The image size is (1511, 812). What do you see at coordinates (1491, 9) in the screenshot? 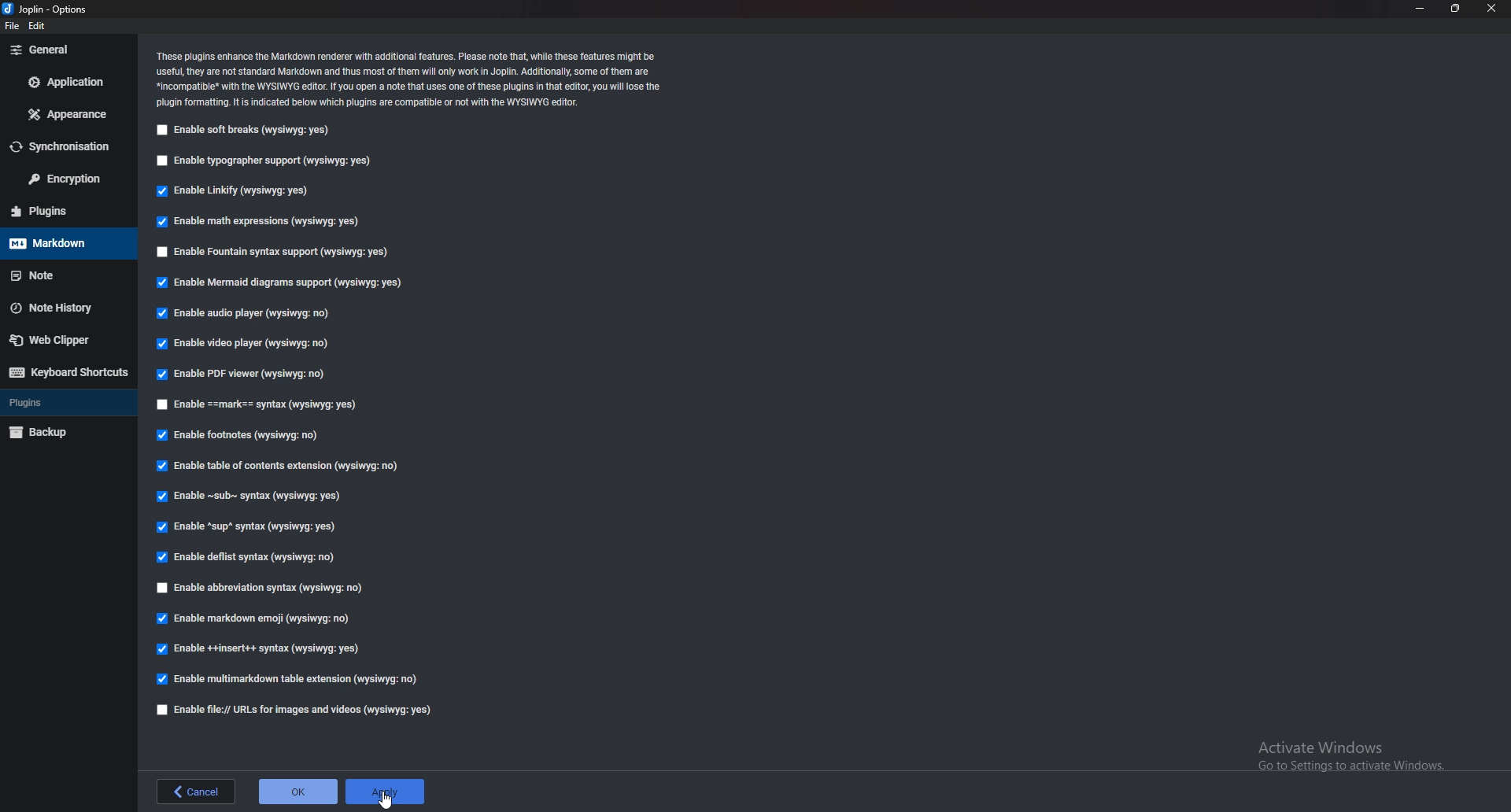
I see `close` at bounding box center [1491, 9].